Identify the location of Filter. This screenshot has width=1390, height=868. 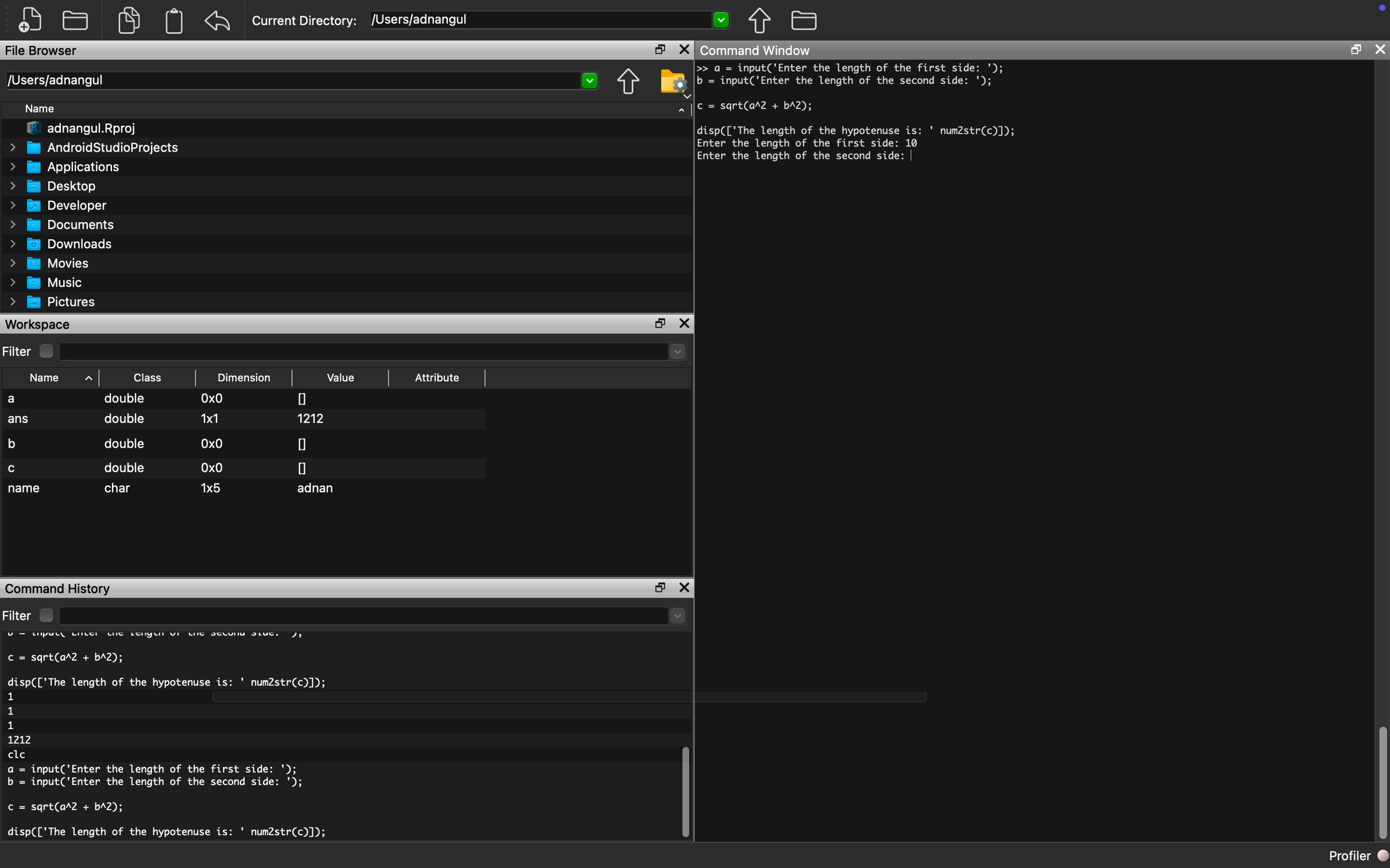
(18, 352).